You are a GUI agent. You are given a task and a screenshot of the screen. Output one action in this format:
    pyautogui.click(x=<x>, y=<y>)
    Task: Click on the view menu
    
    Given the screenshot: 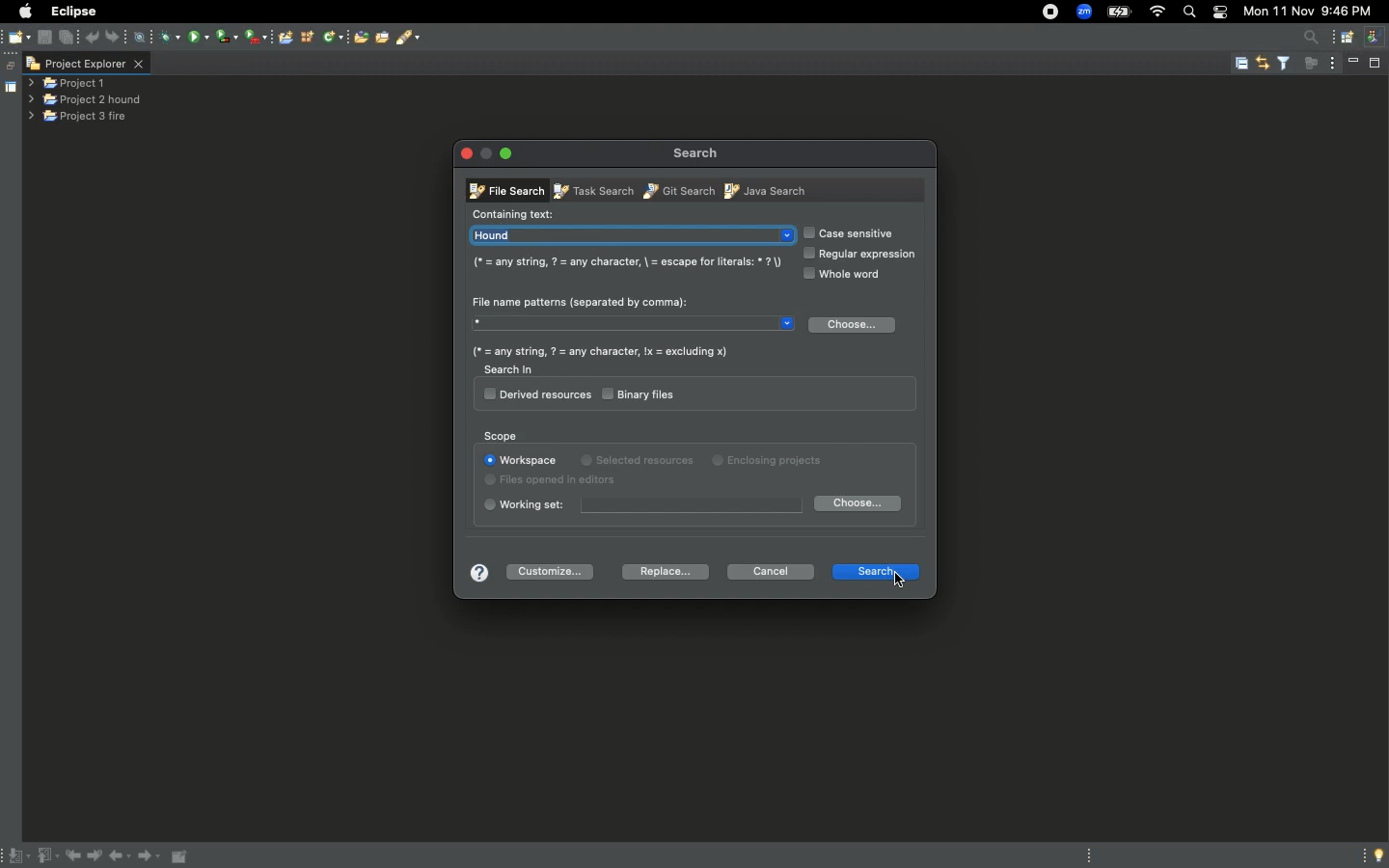 What is the action you would take?
    pyautogui.click(x=1335, y=66)
    